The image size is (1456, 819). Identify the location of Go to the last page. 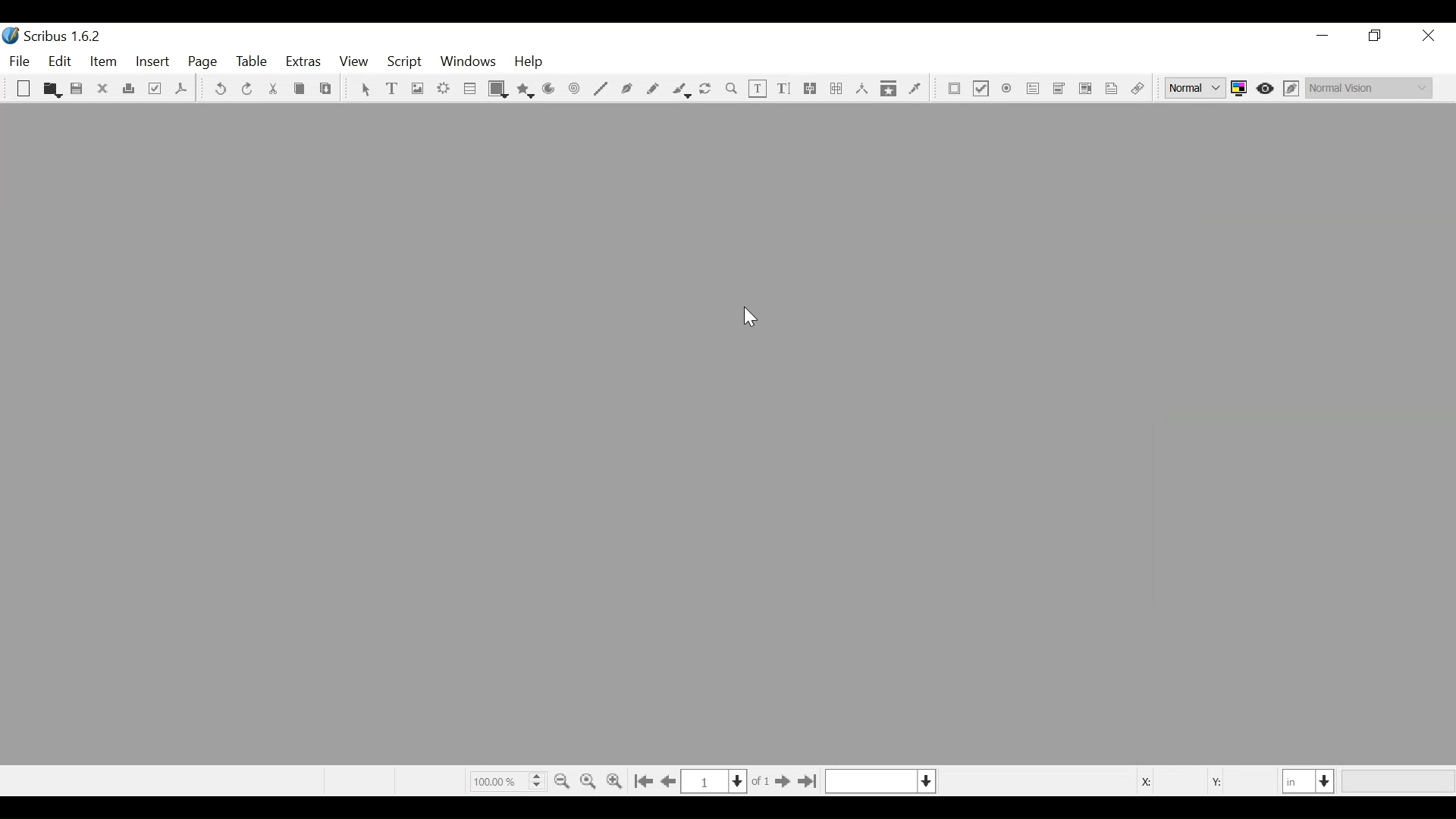
(807, 782).